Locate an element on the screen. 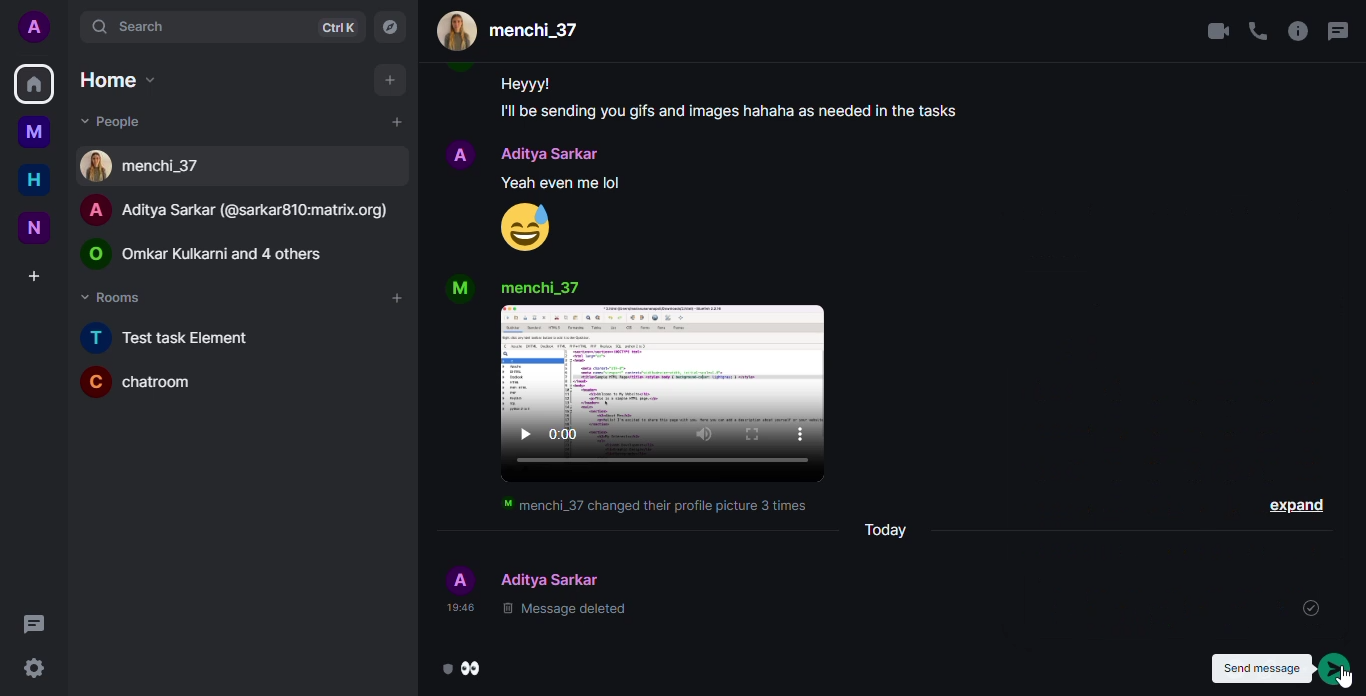 The image size is (1366, 696). add is located at coordinates (395, 298).